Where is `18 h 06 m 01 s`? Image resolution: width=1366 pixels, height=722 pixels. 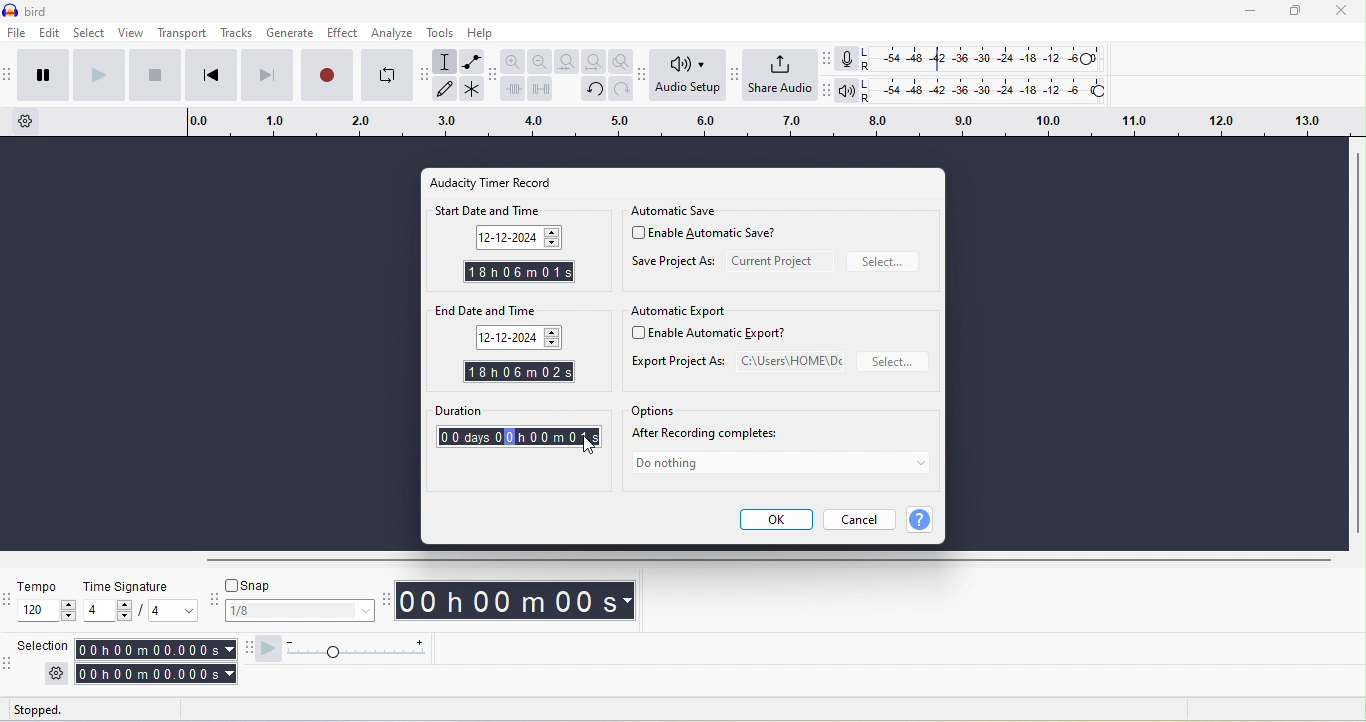 18 h 06 m 01 s is located at coordinates (516, 274).